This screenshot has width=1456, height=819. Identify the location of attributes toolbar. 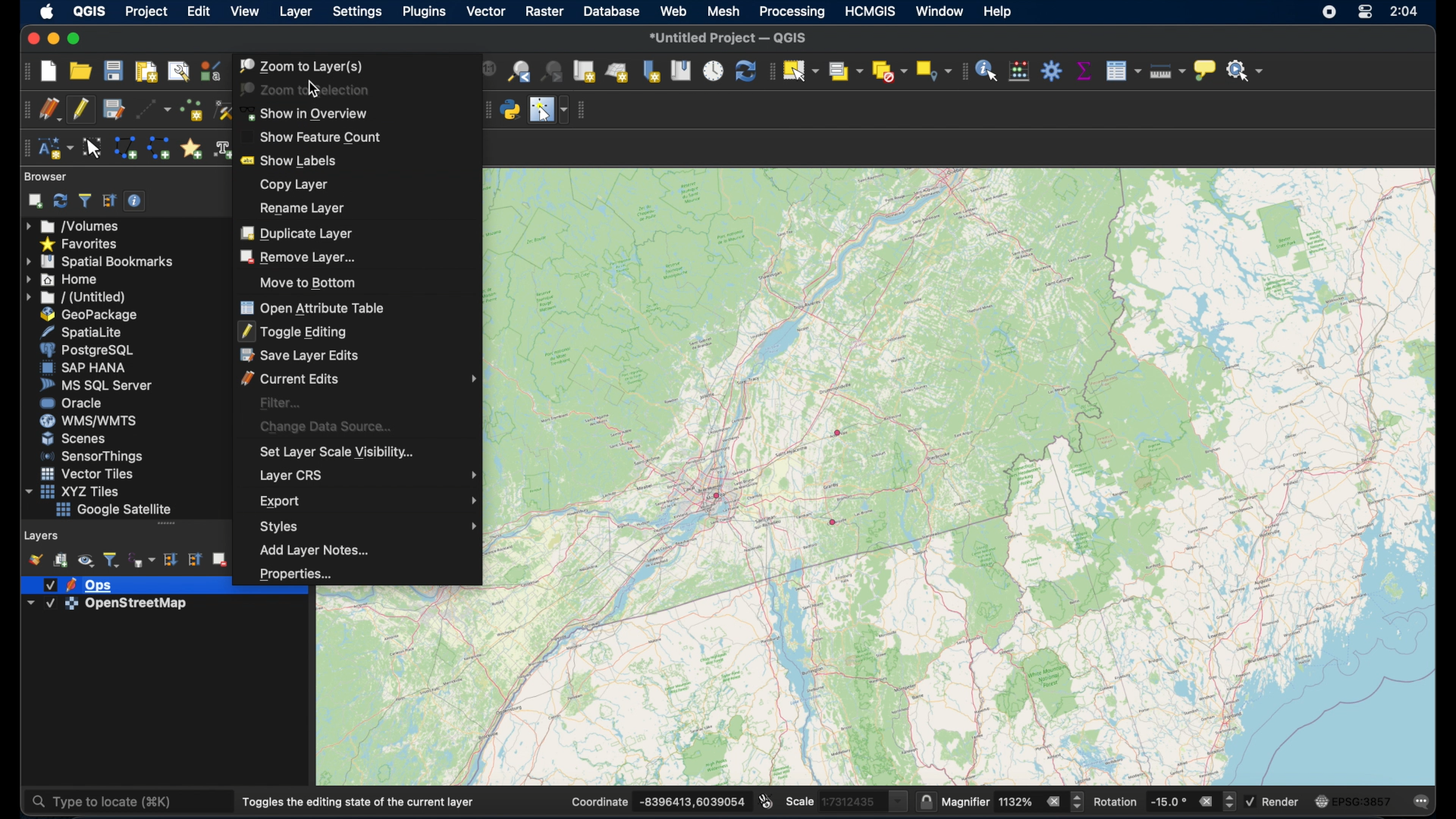
(964, 72).